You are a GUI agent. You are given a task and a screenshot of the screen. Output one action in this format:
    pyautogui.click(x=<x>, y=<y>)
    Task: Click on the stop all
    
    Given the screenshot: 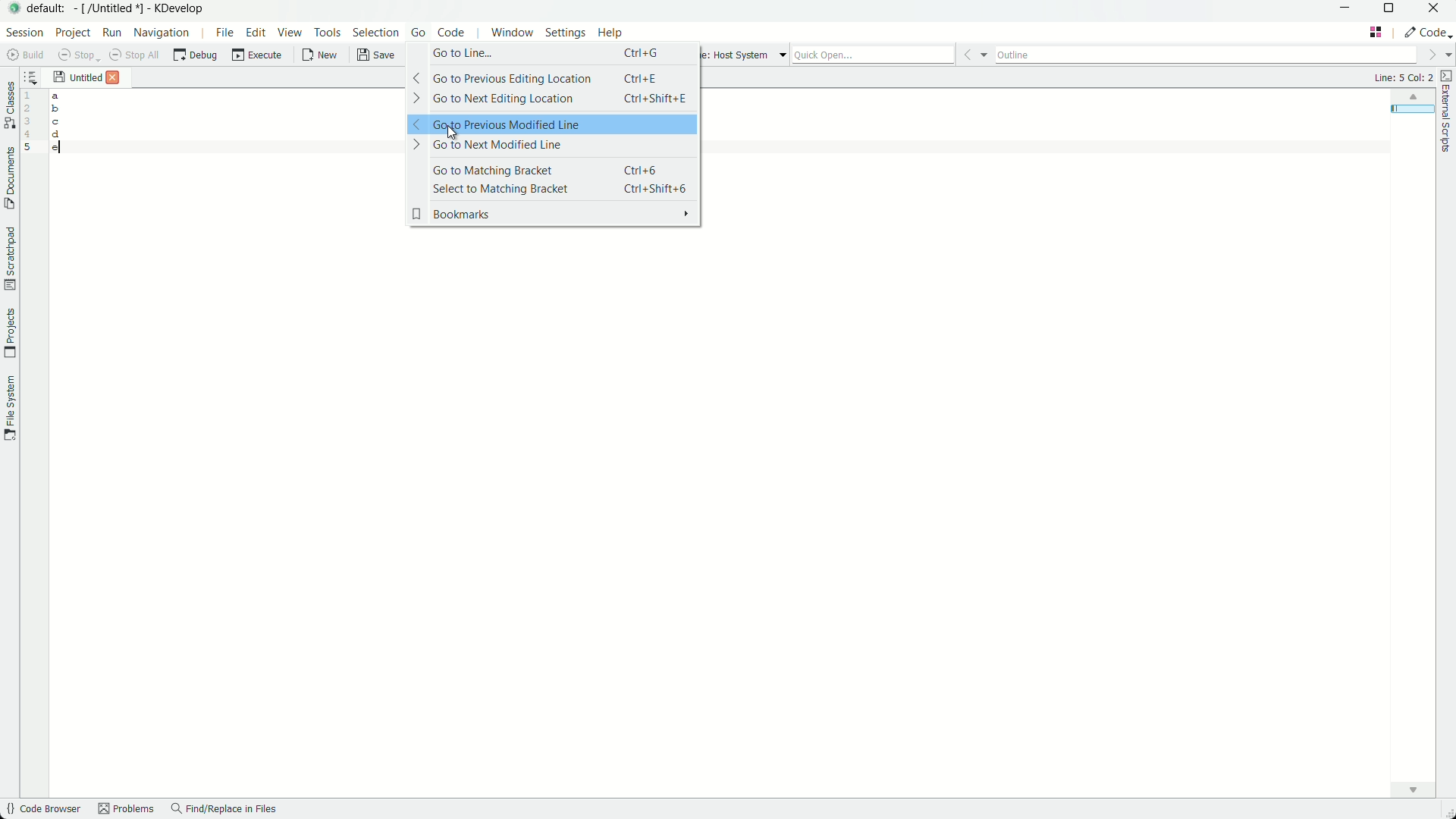 What is the action you would take?
    pyautogui.click(x=133, y=56)
    